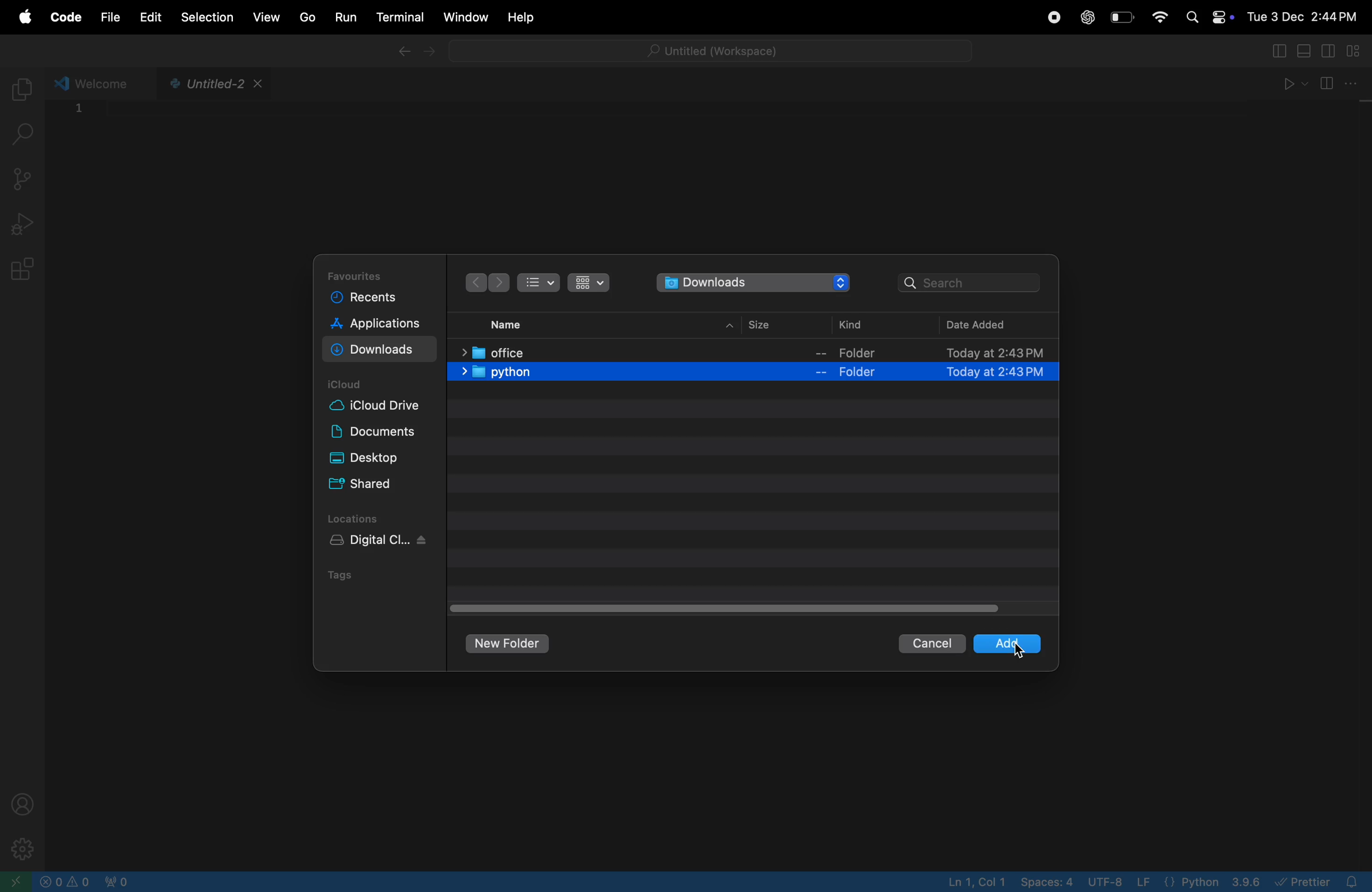 This screenshot has width=1372, height=892. What do you see at coordinates (1330, 50) in the screenshot?
I see `toggle secondary sidebar` at bounding box center [1330, 50].